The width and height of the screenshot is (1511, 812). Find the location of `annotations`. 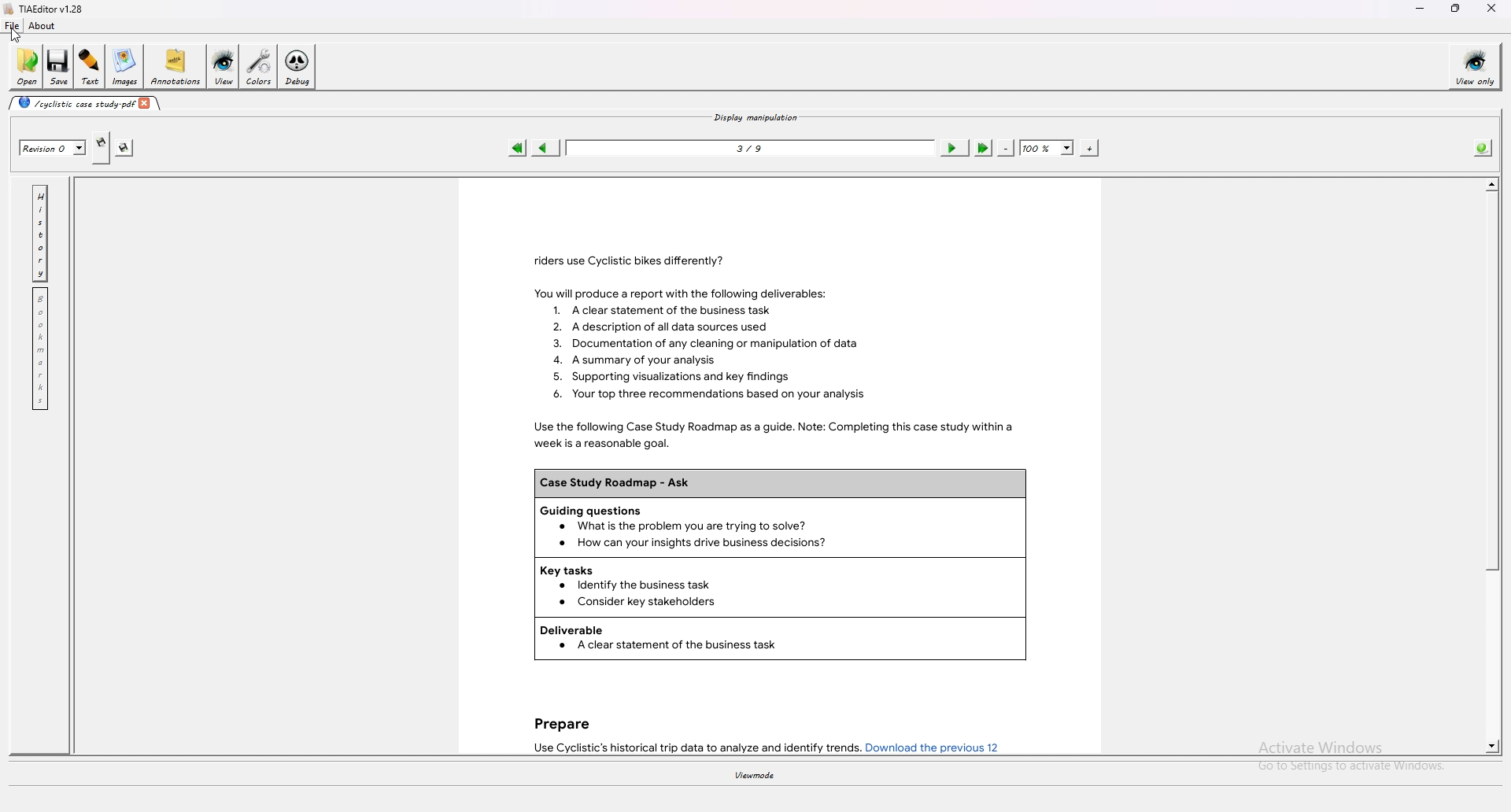

annotations is located at coordinates (175, 66).